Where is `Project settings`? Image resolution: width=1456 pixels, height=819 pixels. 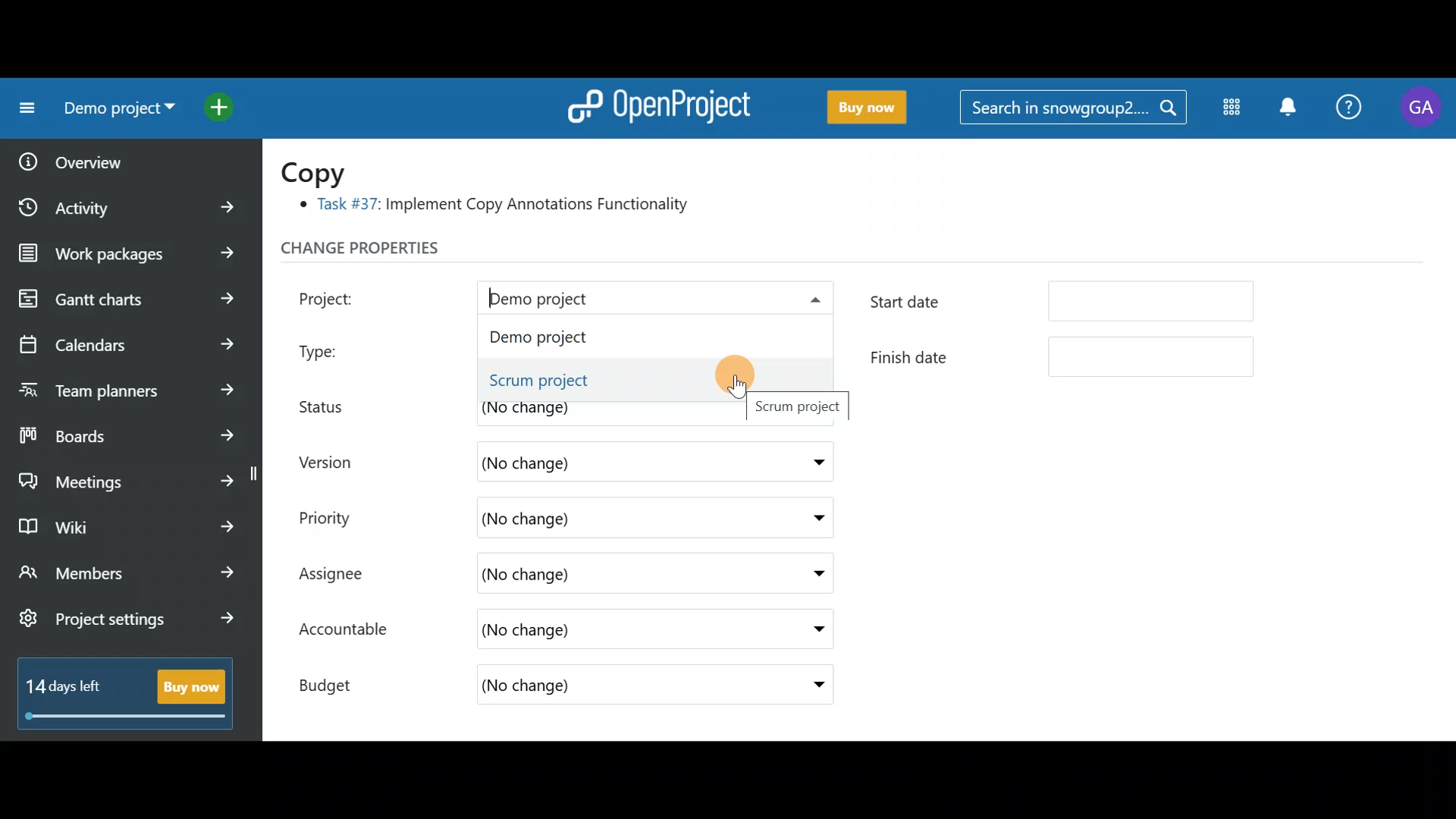 Project settings is located at coordinates (127, 626).